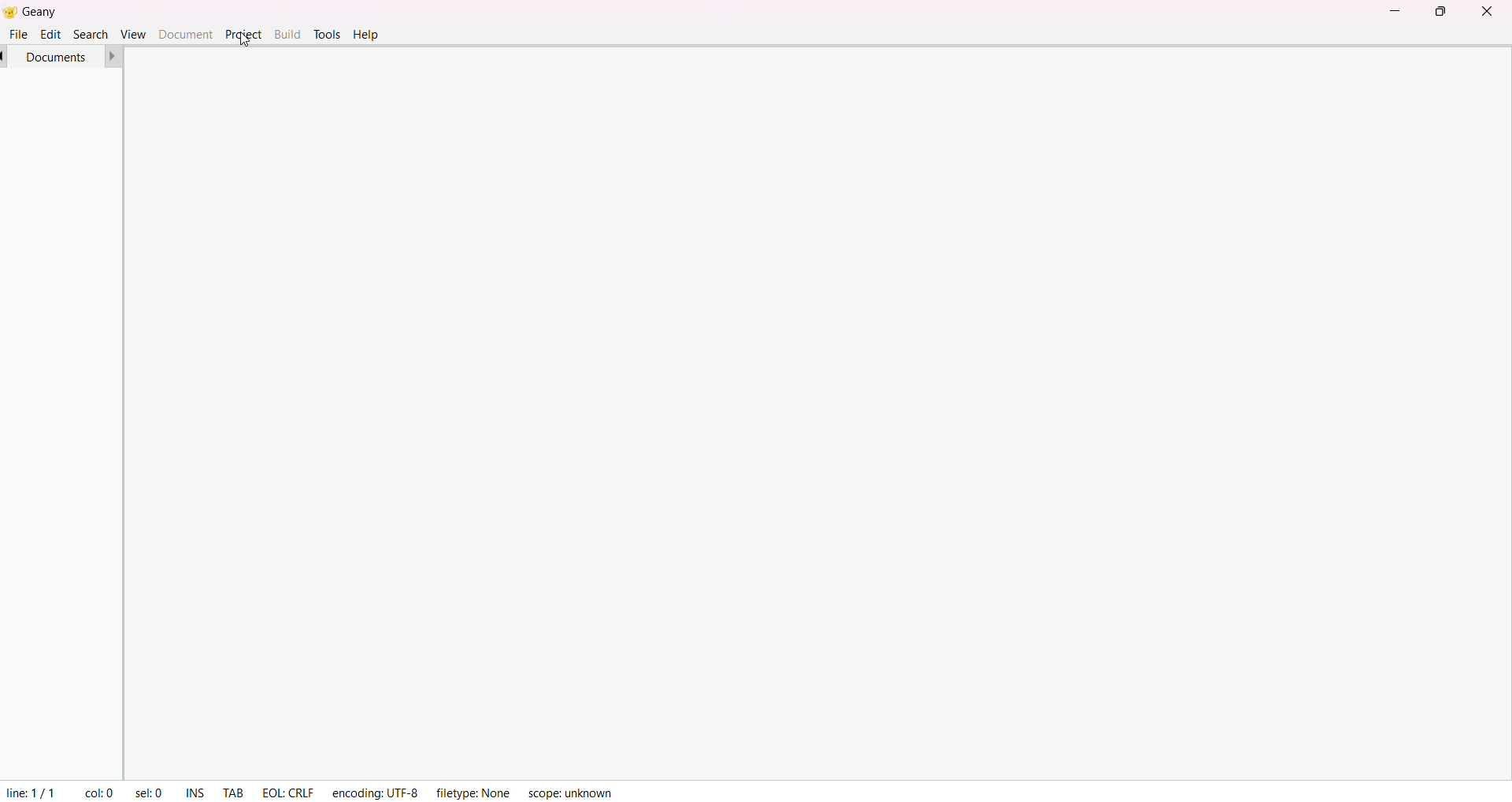  Describe the element at coordinates (831, 411) in the screenshot. I see `code area` at that location.